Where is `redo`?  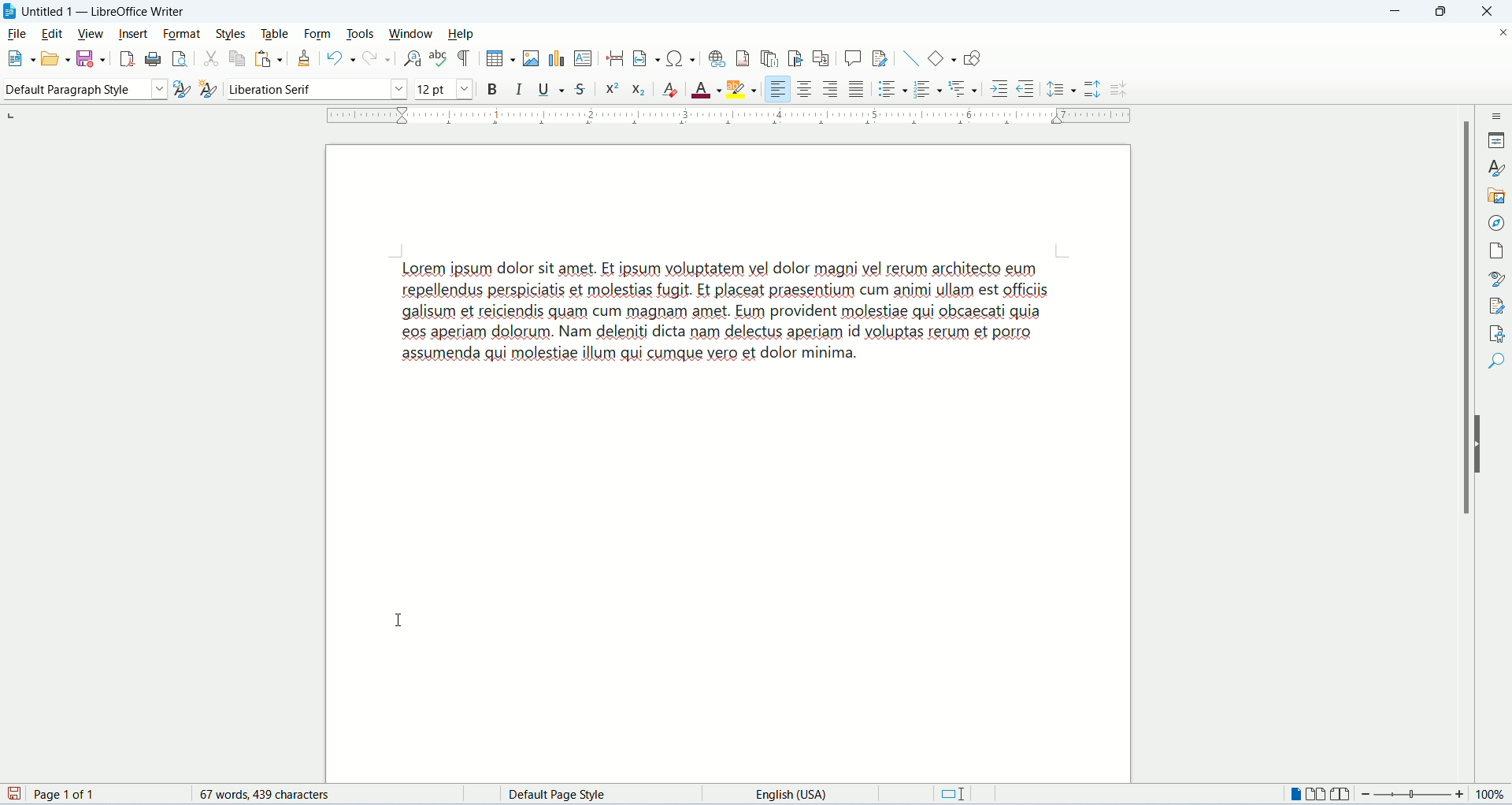 redo is located at coordinates (376, 59).